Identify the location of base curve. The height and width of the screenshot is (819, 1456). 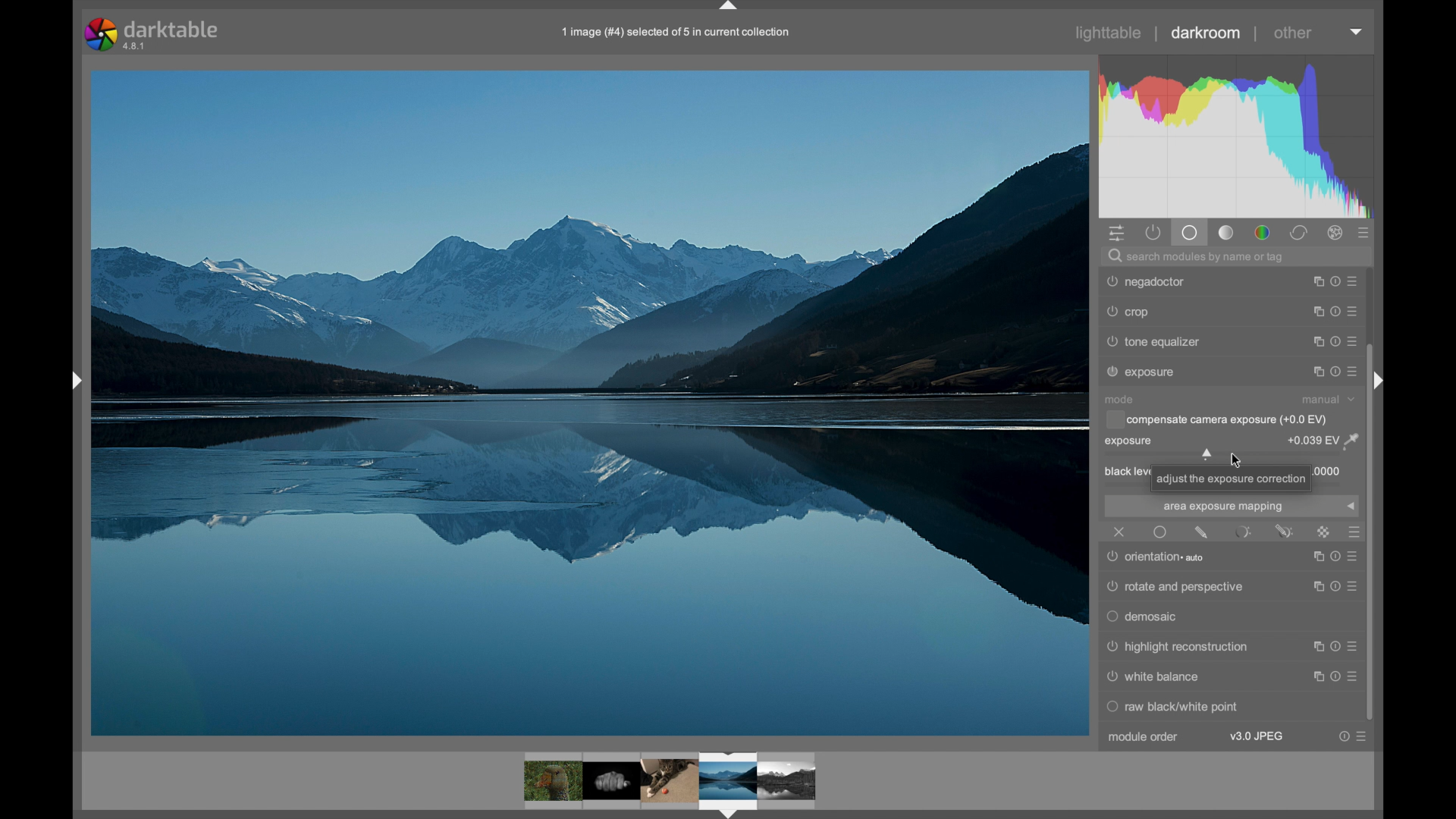
(1159, 341).